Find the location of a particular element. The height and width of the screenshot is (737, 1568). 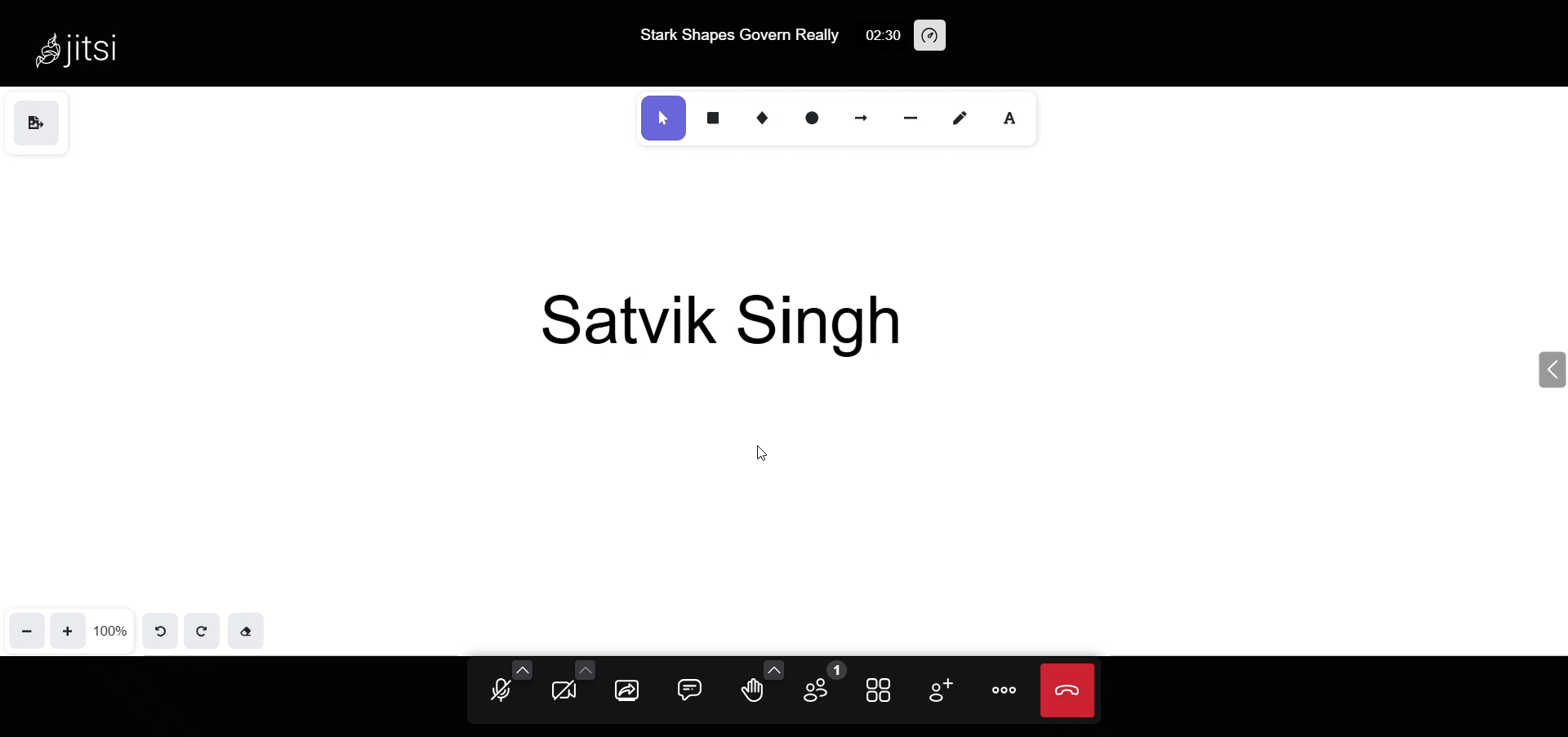

redo is located at coordinates (202, 629).